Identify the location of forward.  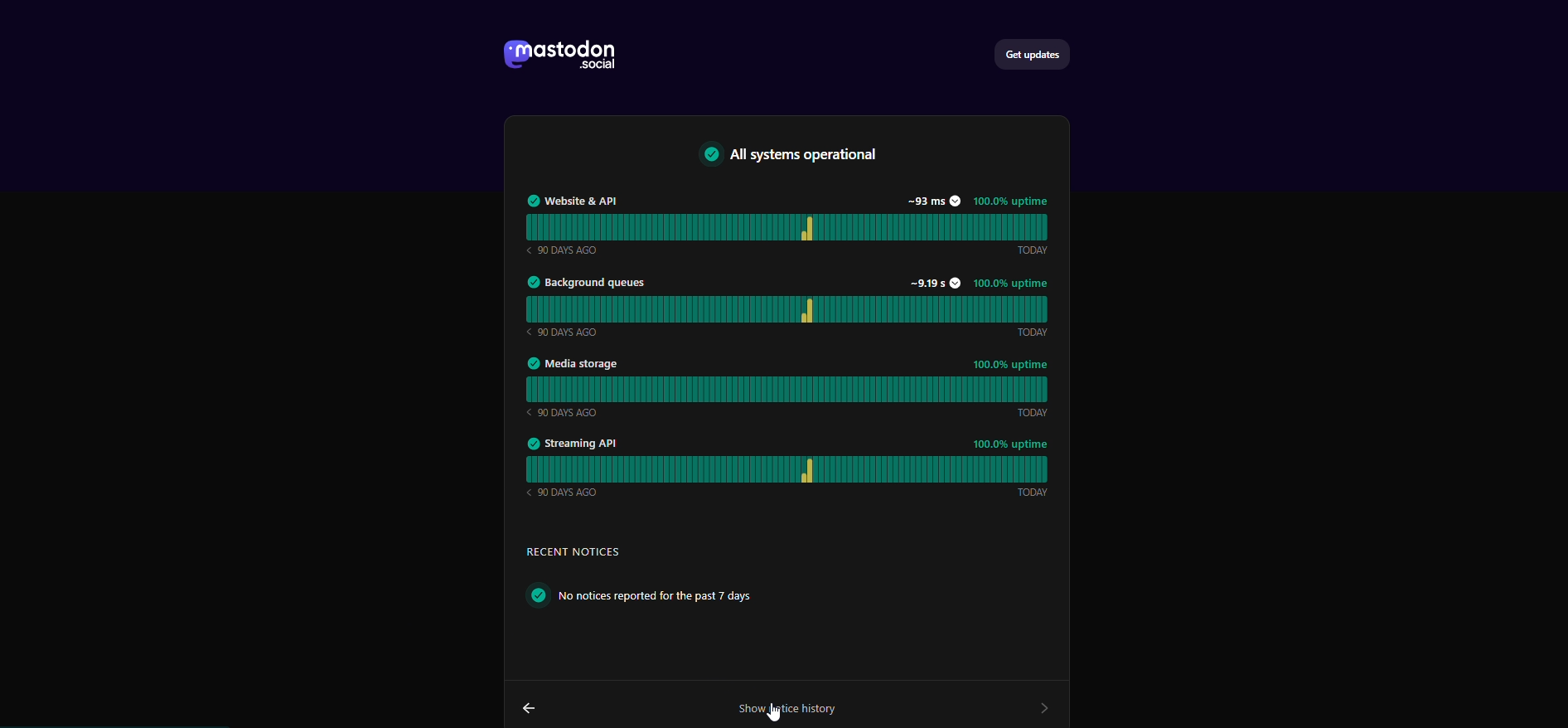
(1038, 705).